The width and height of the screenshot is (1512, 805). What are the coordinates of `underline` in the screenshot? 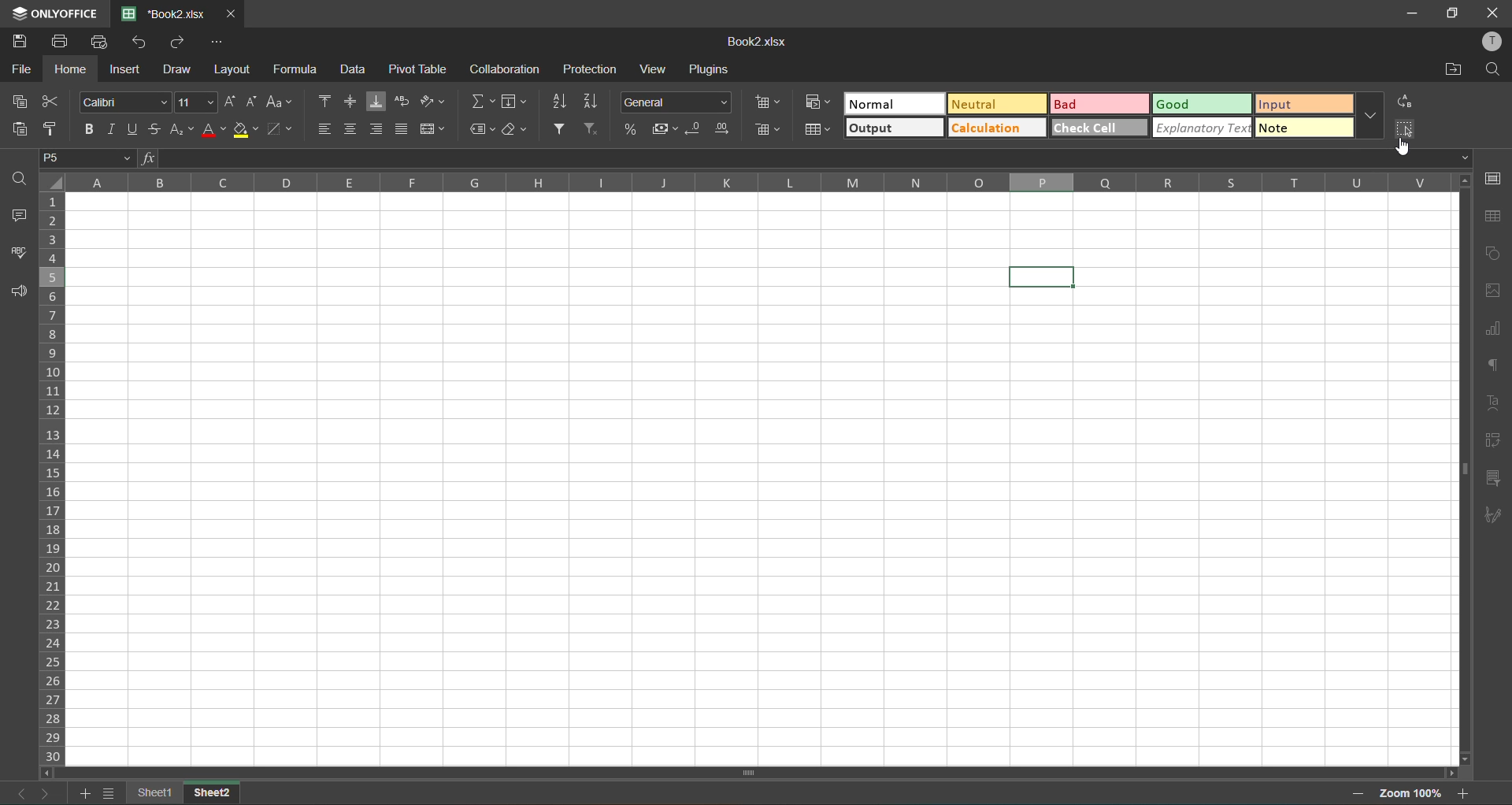 It's located at (132, 128).